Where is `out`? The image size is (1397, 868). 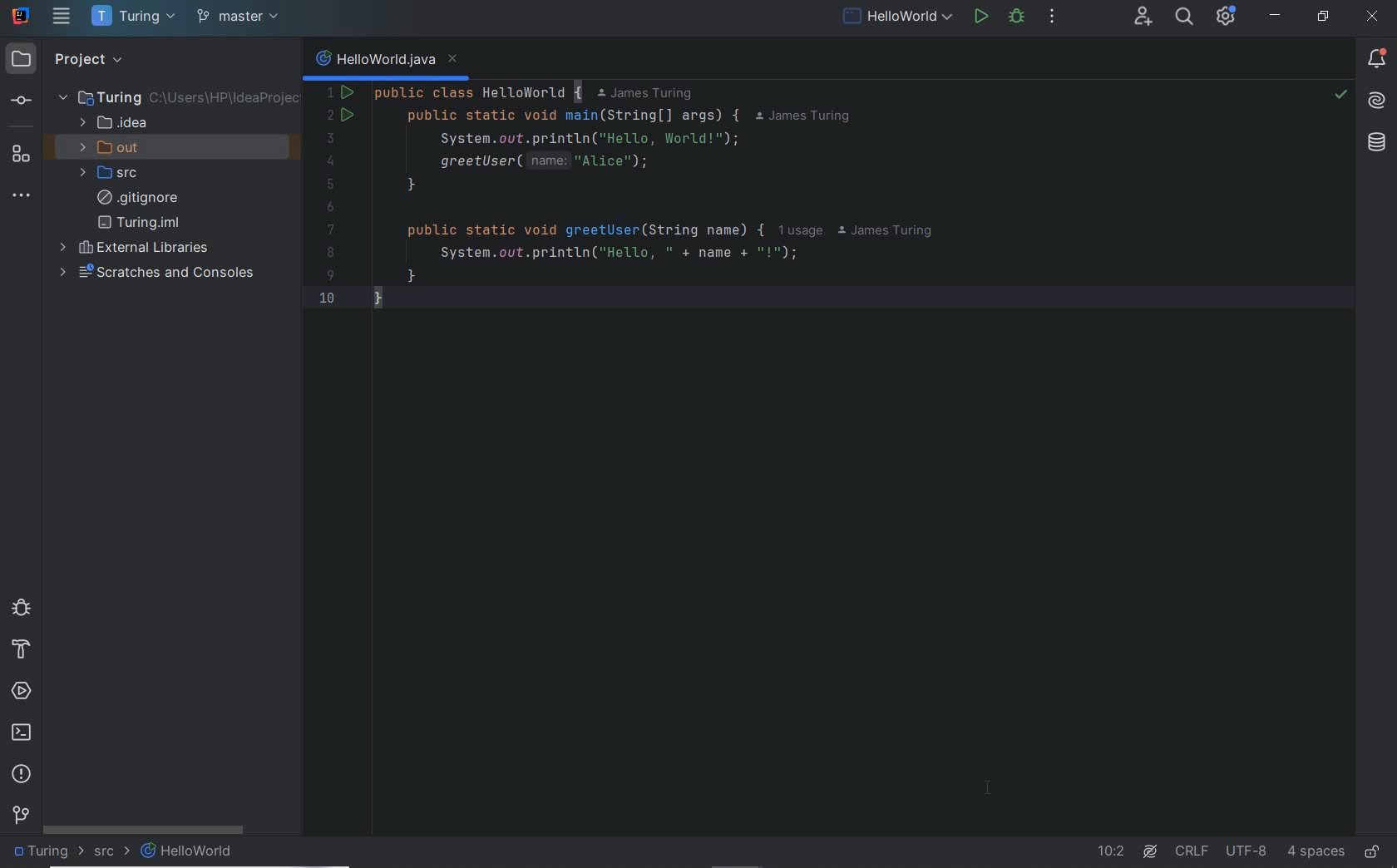 out is located at coordinates (115, 147).